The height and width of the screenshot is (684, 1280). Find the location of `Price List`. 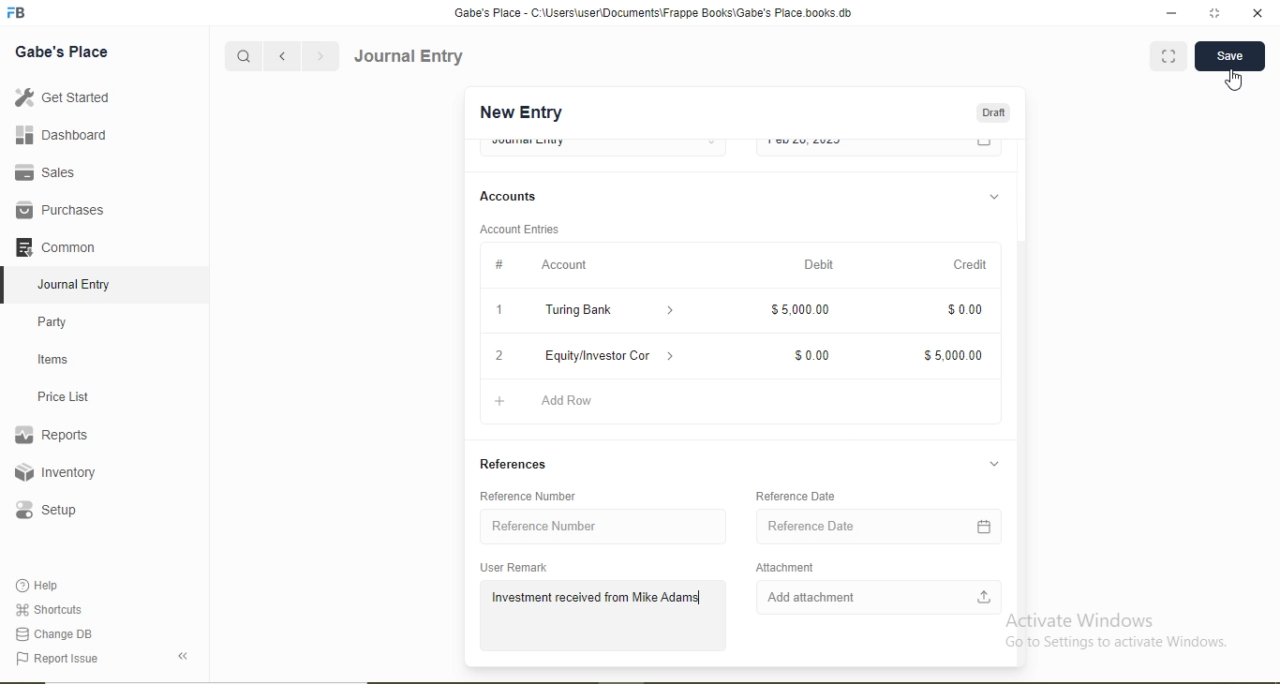

Price List is located at coordinates (62, 397).